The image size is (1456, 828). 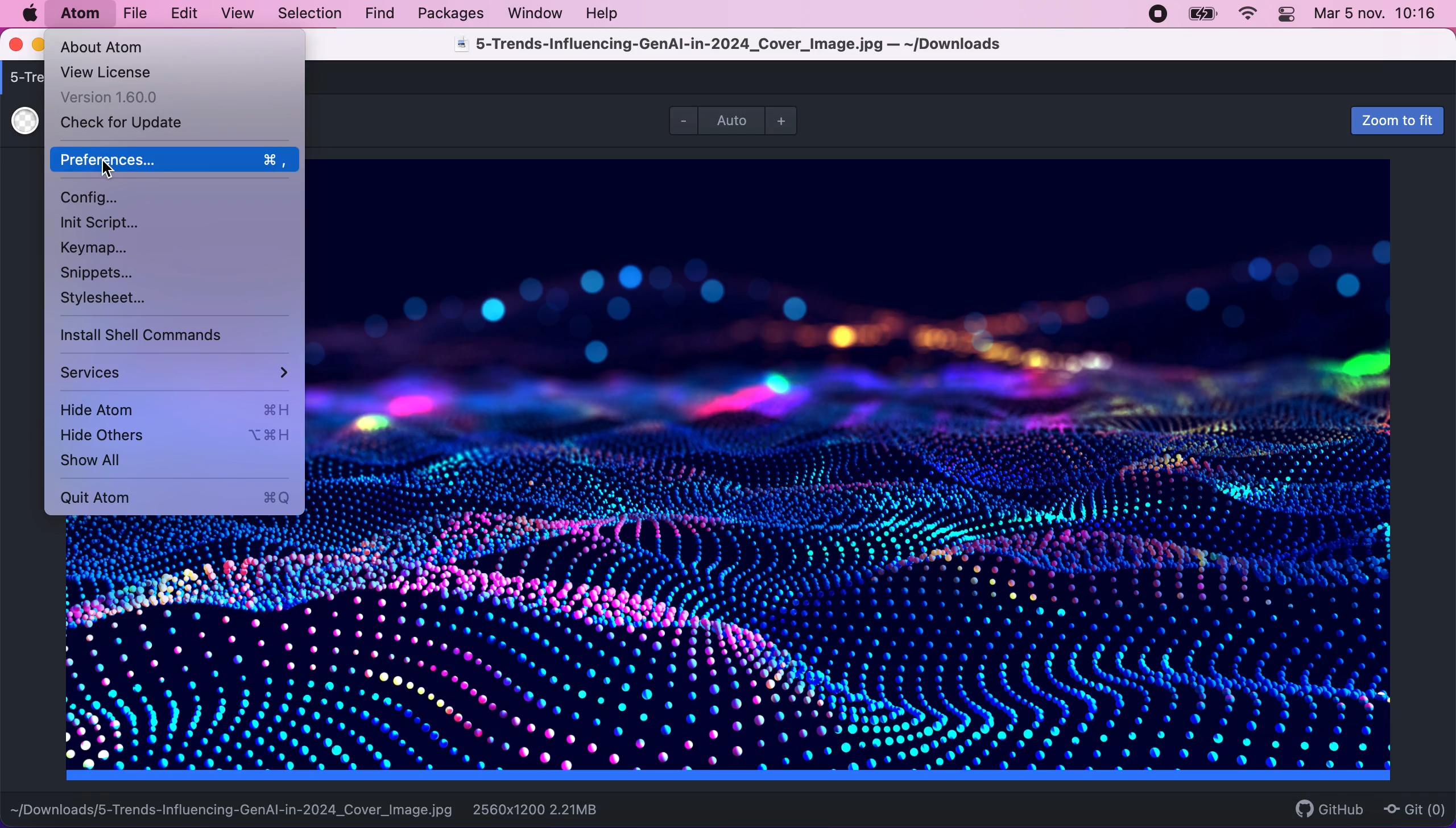 I want to click on image, so click(x=867, y=474).